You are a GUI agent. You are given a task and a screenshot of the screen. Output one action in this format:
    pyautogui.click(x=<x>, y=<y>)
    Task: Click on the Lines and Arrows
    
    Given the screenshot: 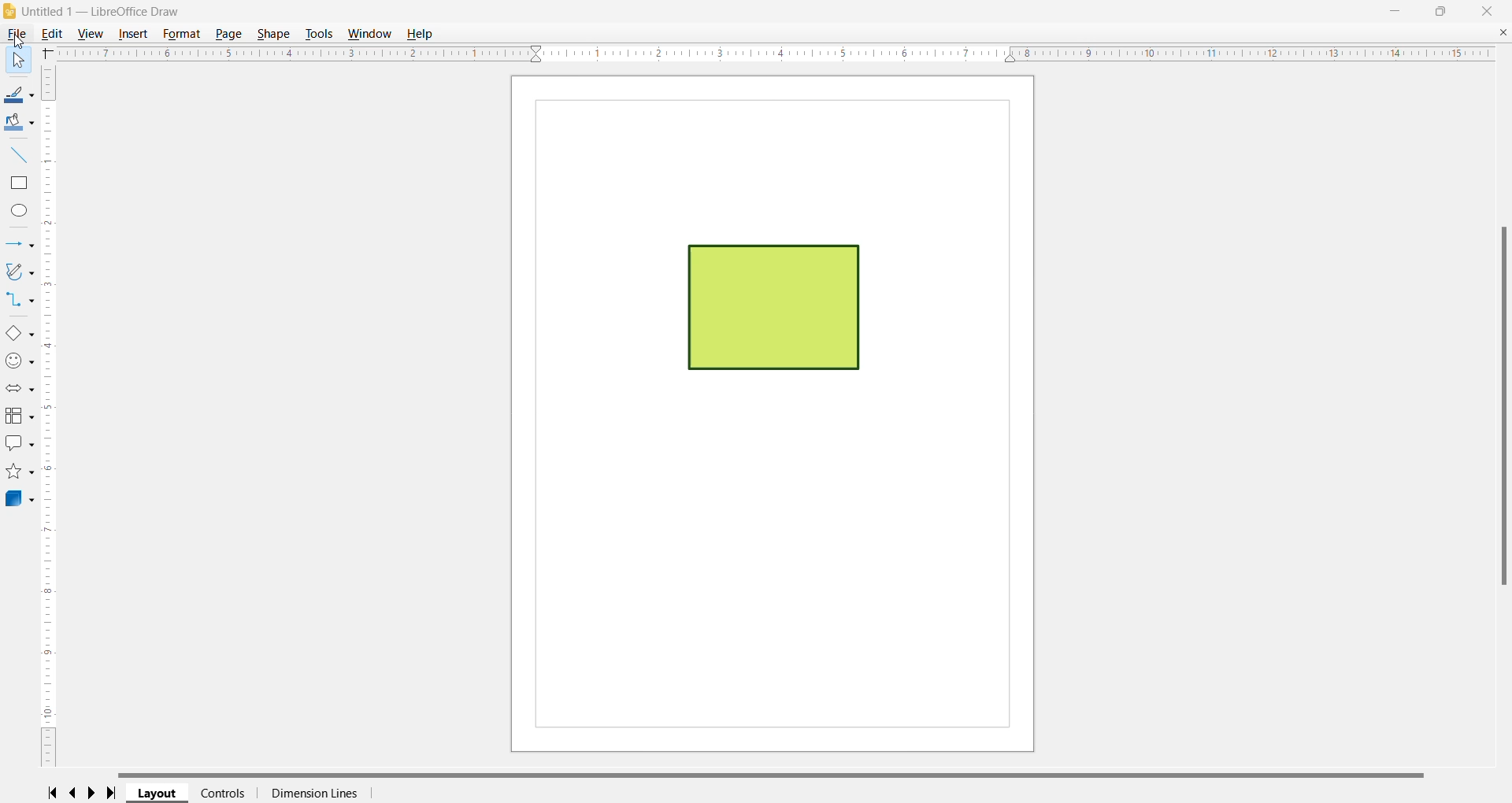 What is the action you would take?
    pyautogui.click(x=18, y=245)
    